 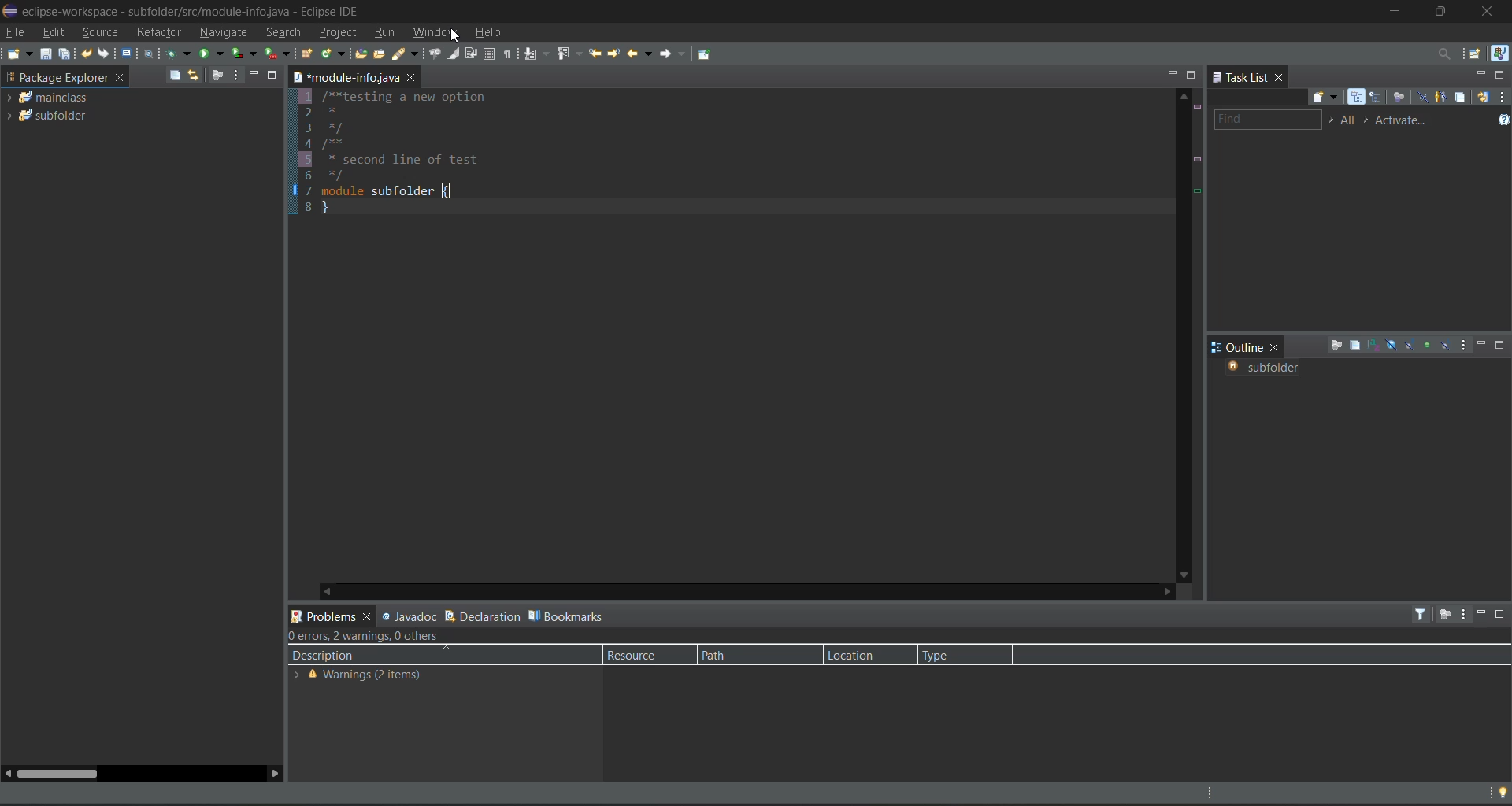 I want to click on file, so click(x=17, y=31).